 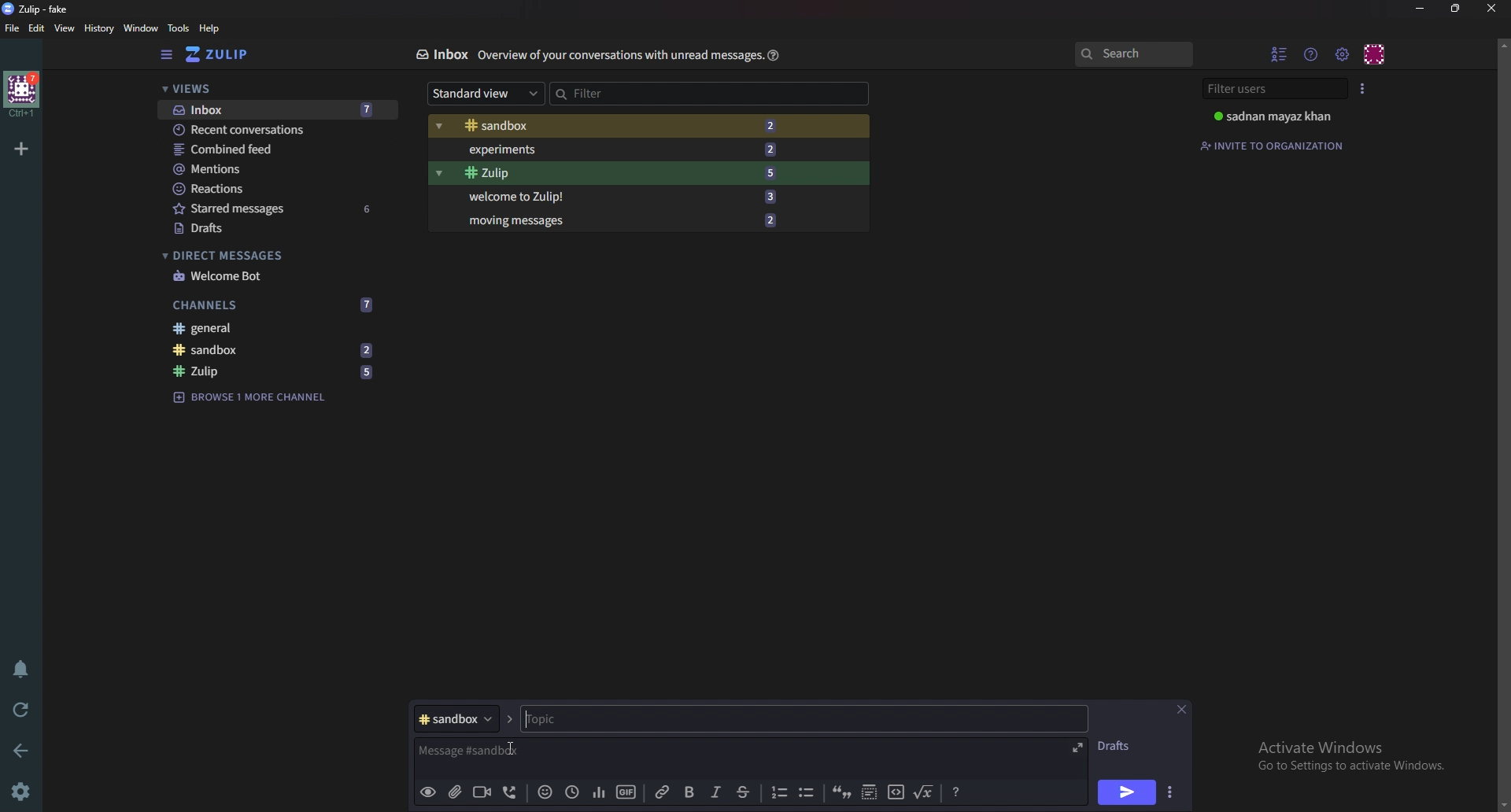 What do you see at coordinates (1376, 54) in the screenshot?
I see `personal menu` at bounding box center [1376, 54].